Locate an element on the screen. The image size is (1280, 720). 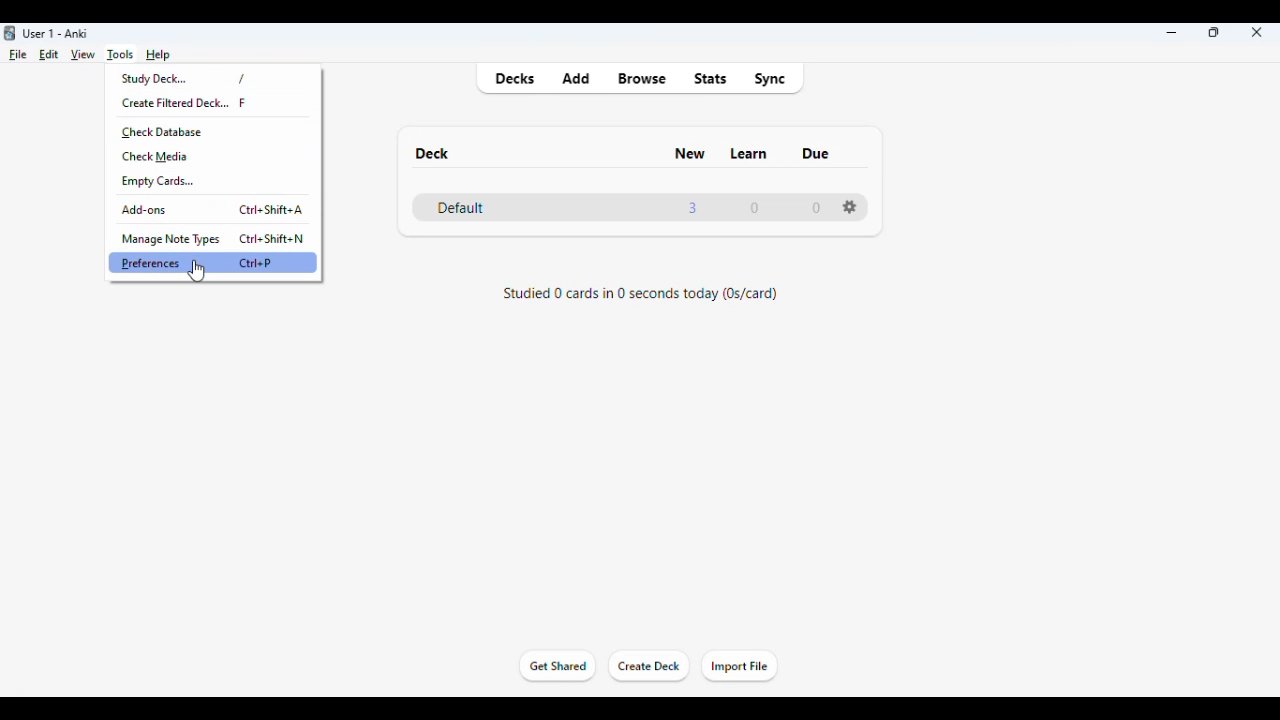
import file is located at coordinates (739, 667).